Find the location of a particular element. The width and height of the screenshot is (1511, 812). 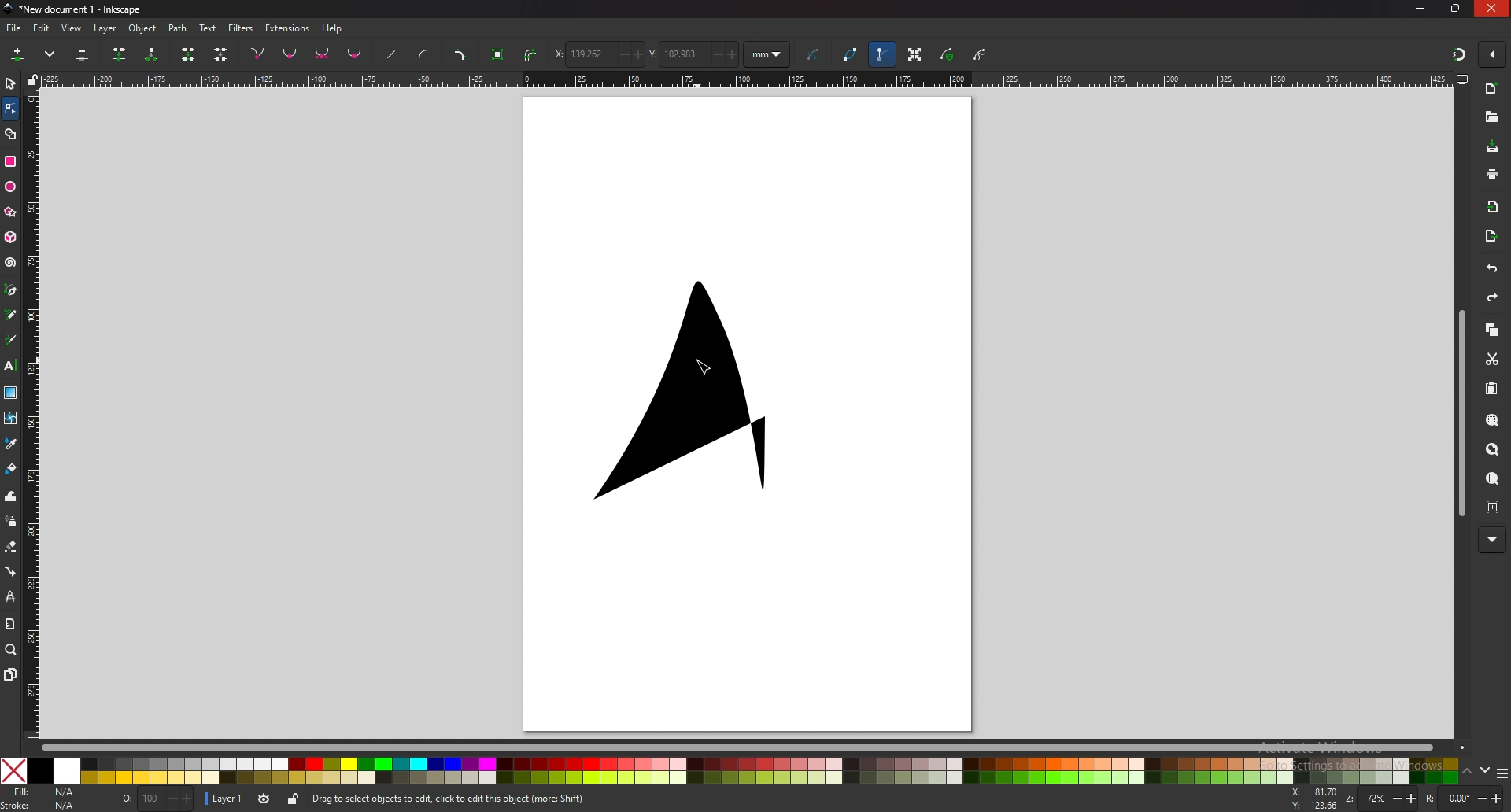

colors is located at coordinates (730, 770).